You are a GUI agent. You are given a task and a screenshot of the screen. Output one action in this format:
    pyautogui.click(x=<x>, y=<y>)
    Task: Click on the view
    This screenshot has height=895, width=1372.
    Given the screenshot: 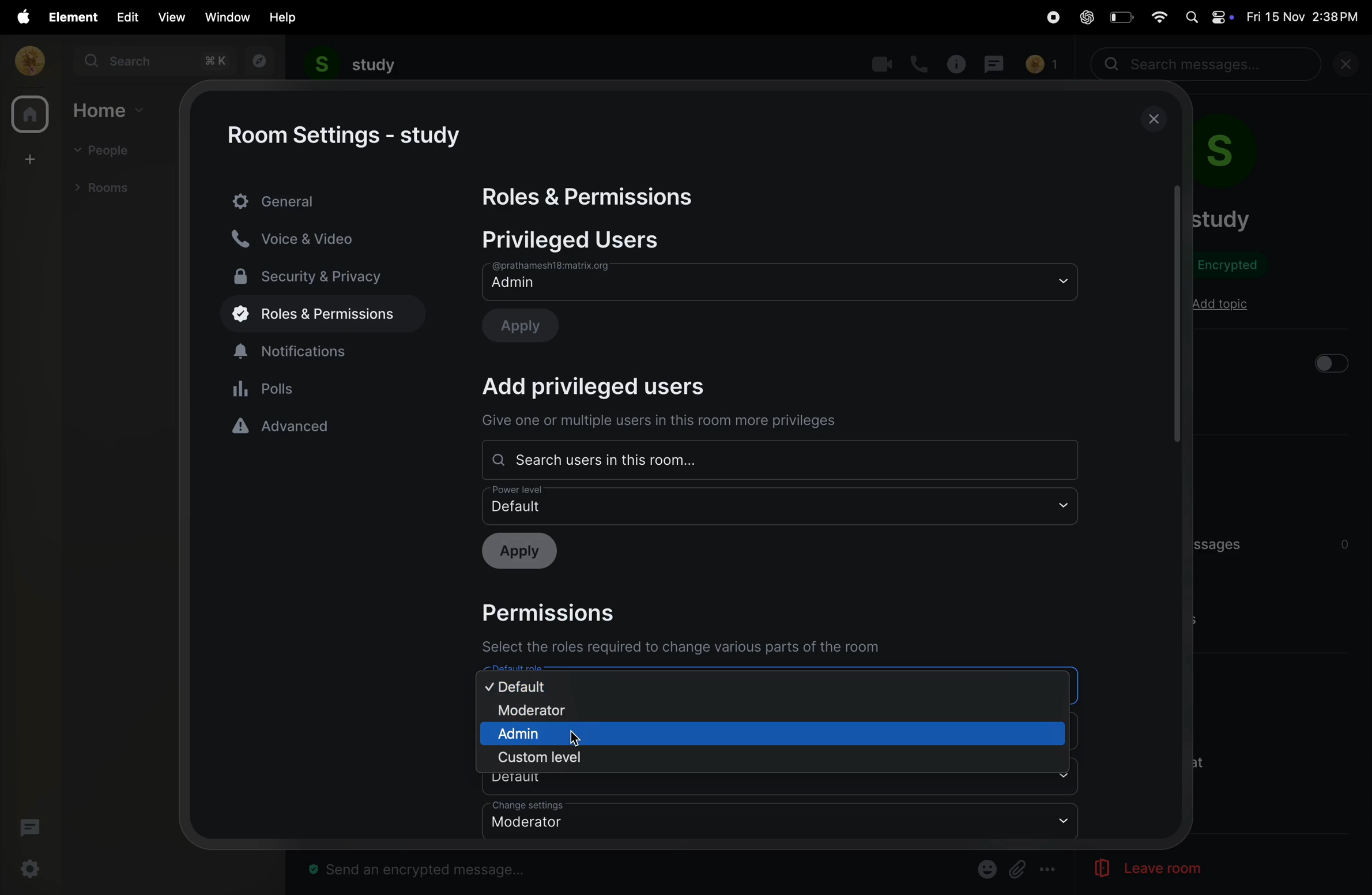 What is the action you would take?
    pyautogui.click(x=170, y=17)
    